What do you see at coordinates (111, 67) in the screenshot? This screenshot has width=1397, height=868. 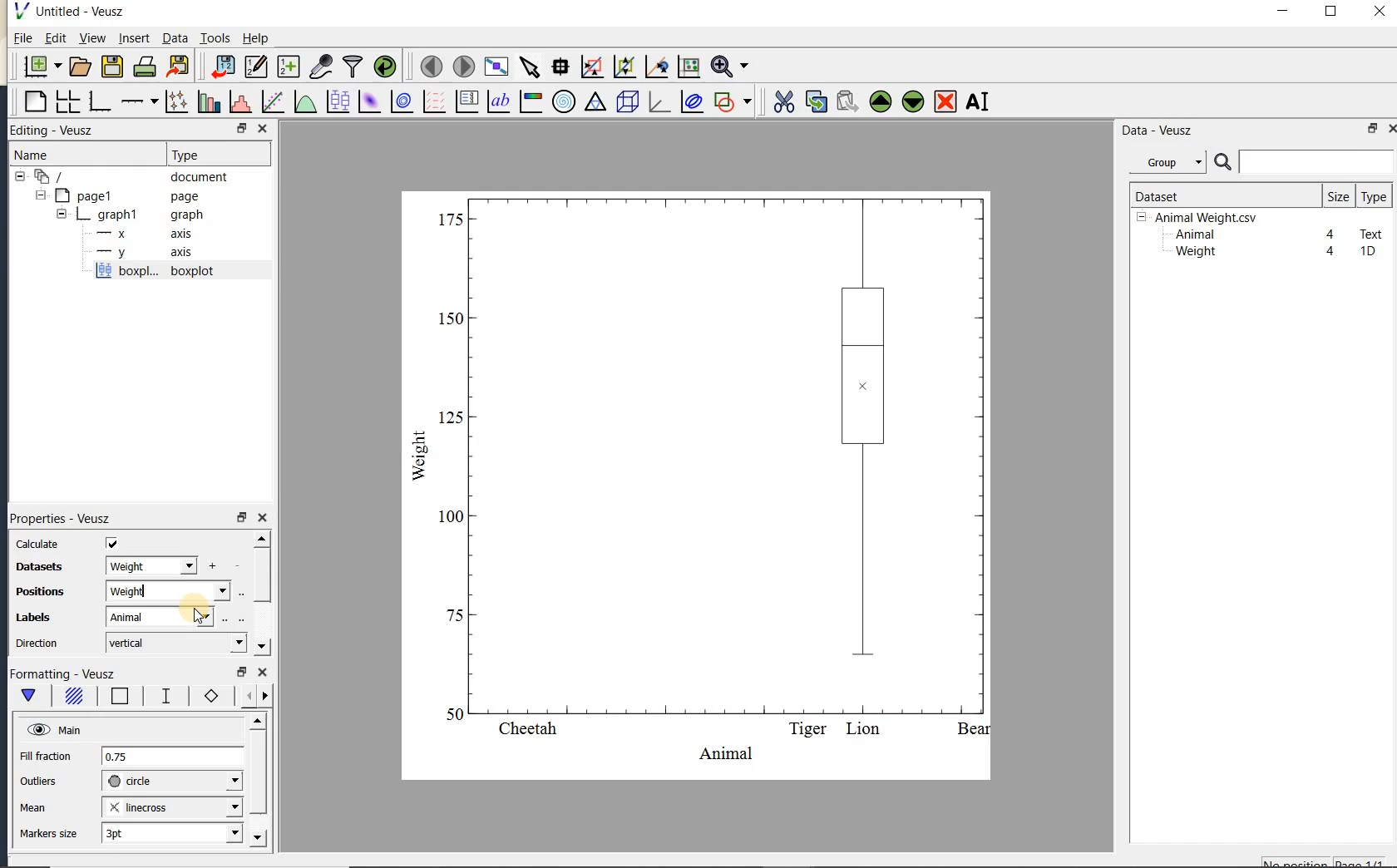 I see `save the document` at bounding box center [111, 67].